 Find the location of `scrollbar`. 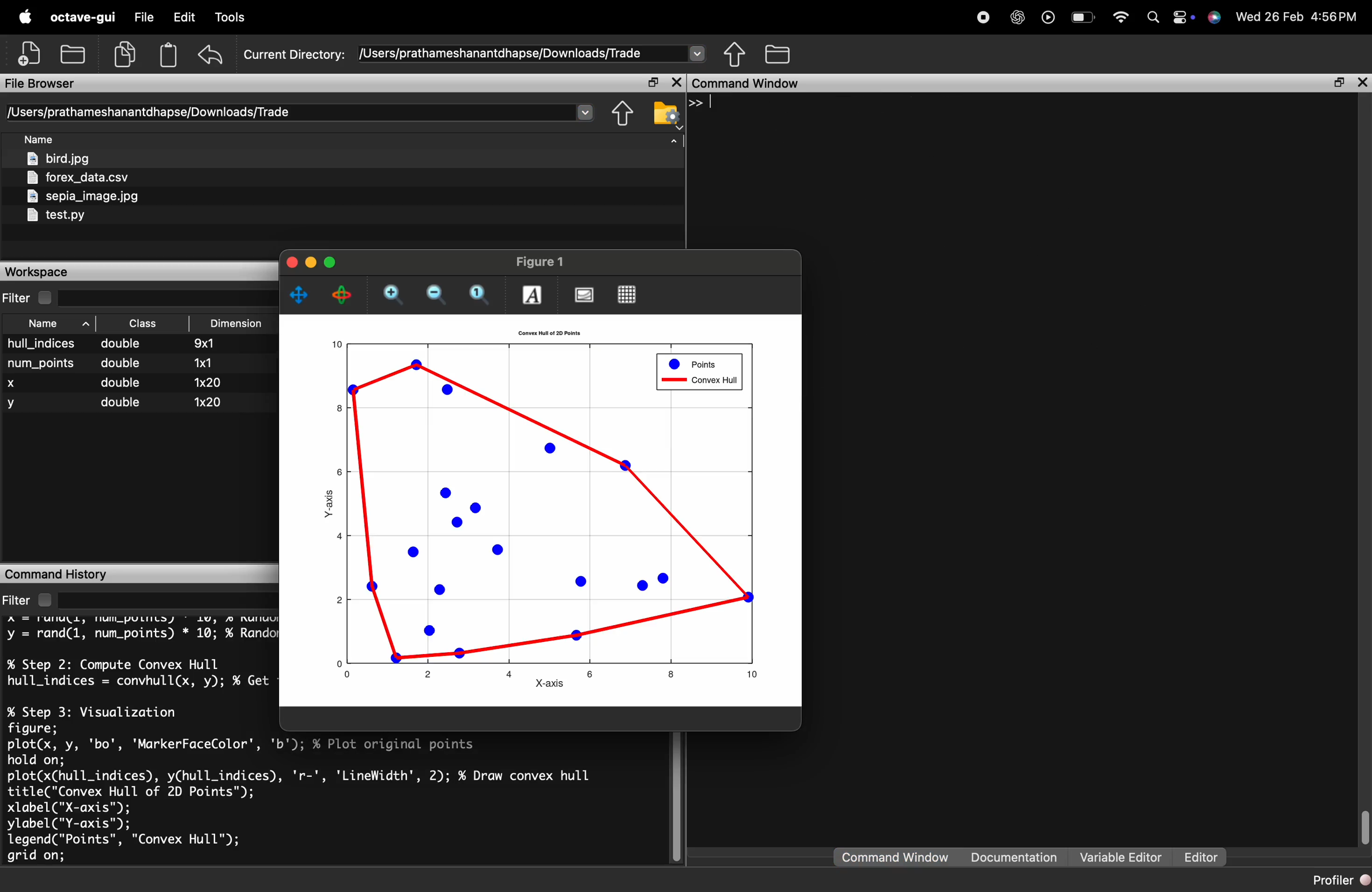

scrollbar is located at coordinates (1363, 830).